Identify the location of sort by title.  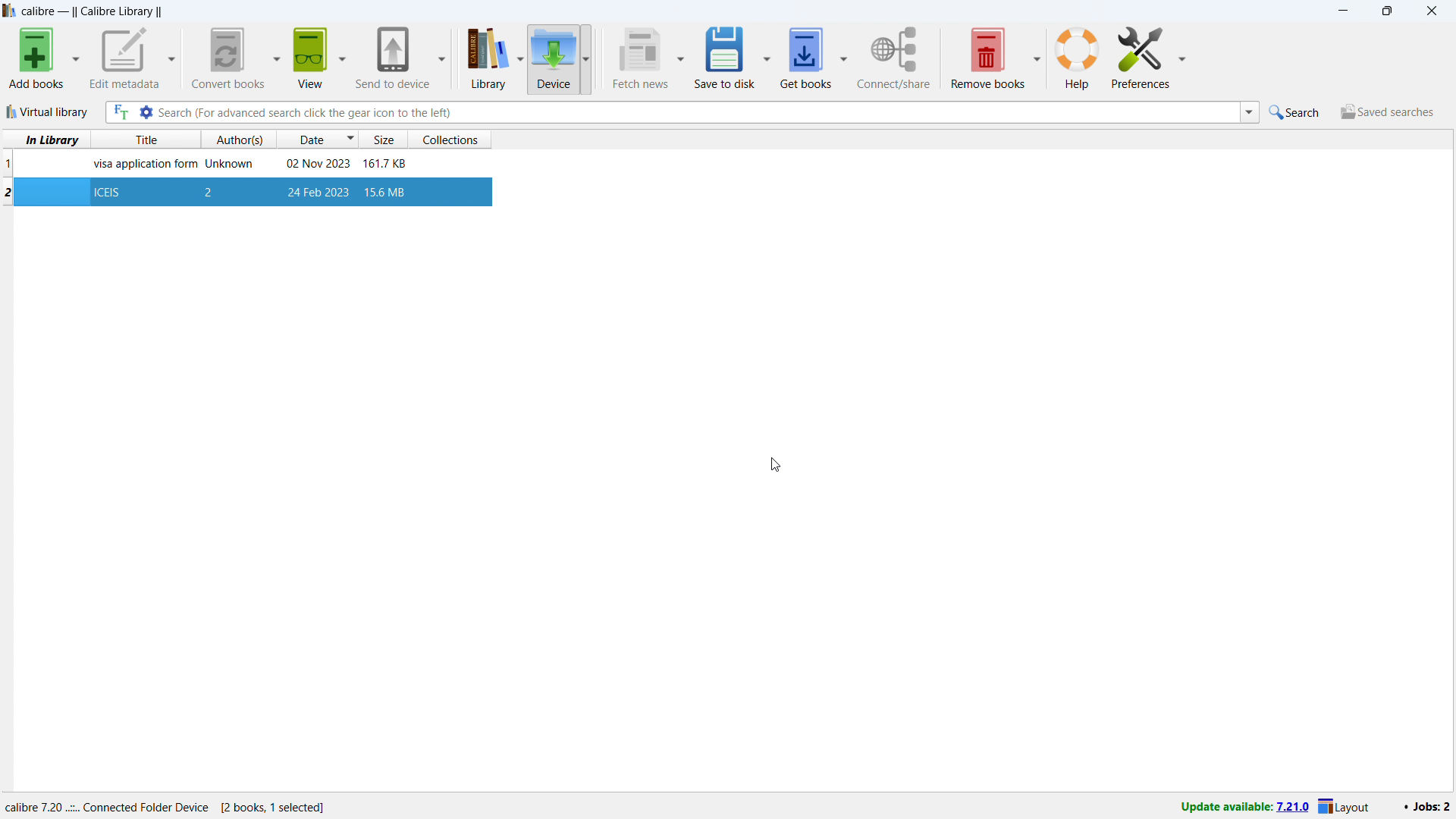
(152, 140).